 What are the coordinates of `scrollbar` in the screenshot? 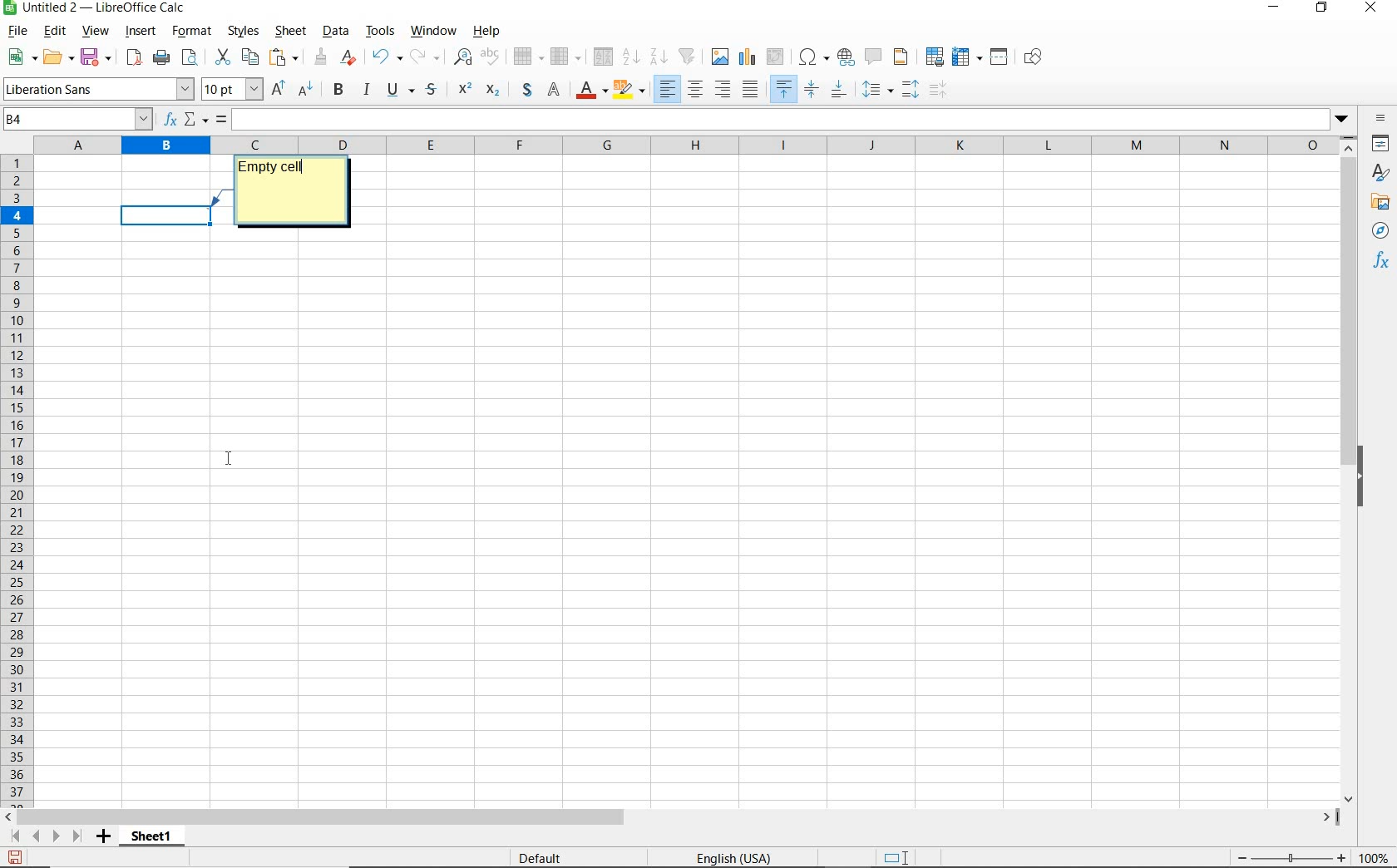 It's located at (673, 817).